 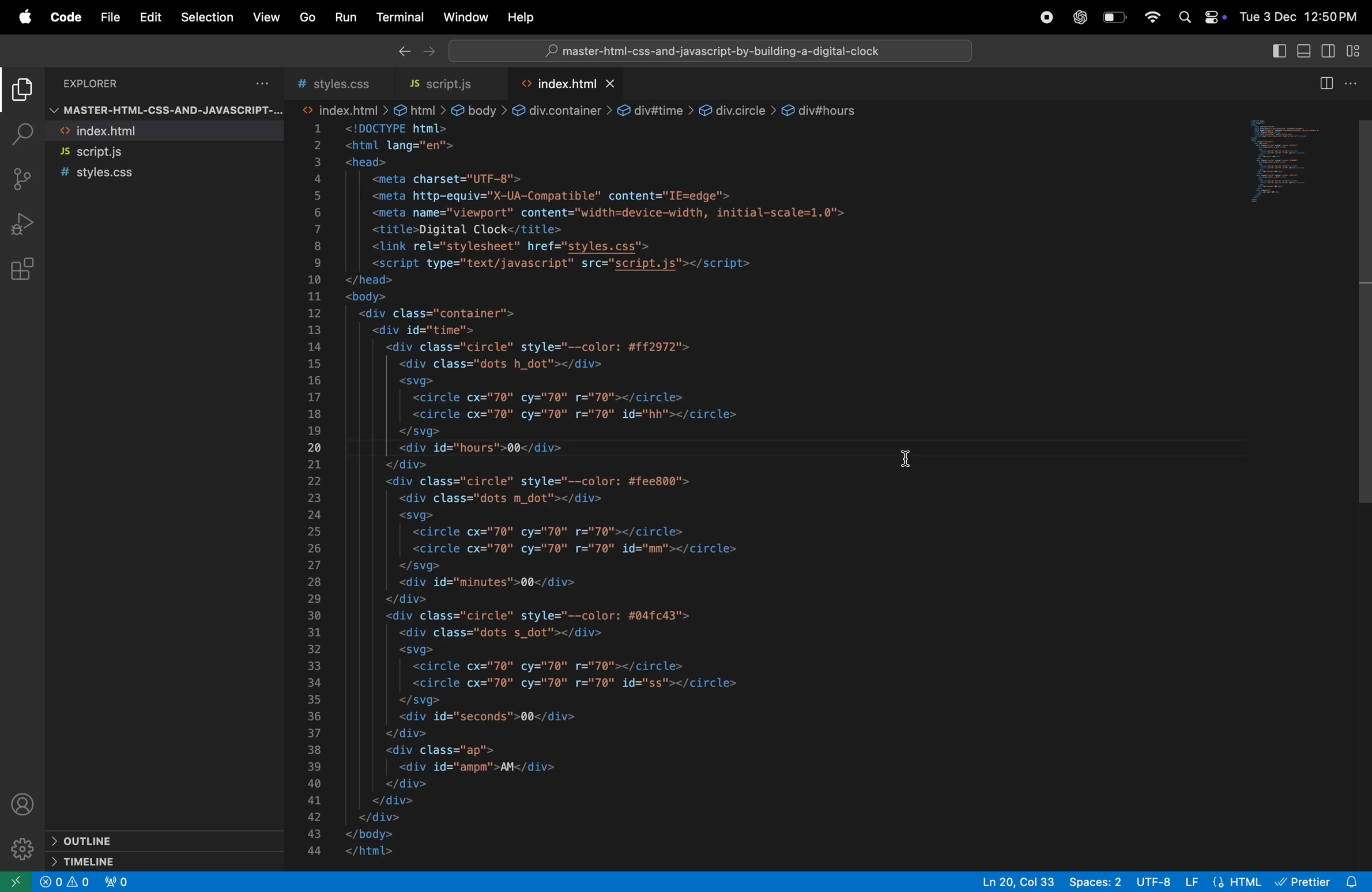 What do you see at coordinates (267, 20) in the screenshot?
I see `view` at bounding box center [267, 20].